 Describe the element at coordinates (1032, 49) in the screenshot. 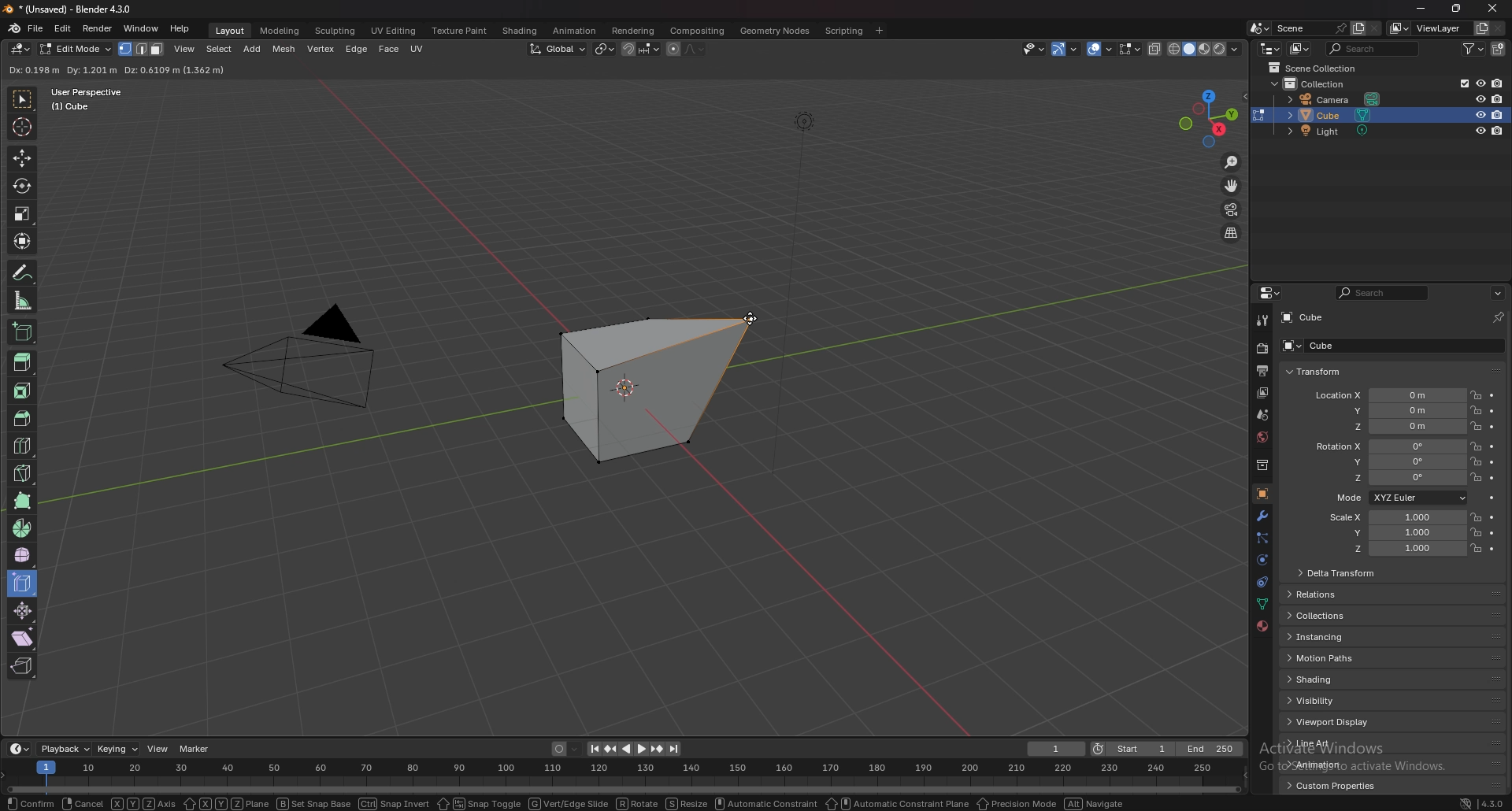

I see `` at that location.